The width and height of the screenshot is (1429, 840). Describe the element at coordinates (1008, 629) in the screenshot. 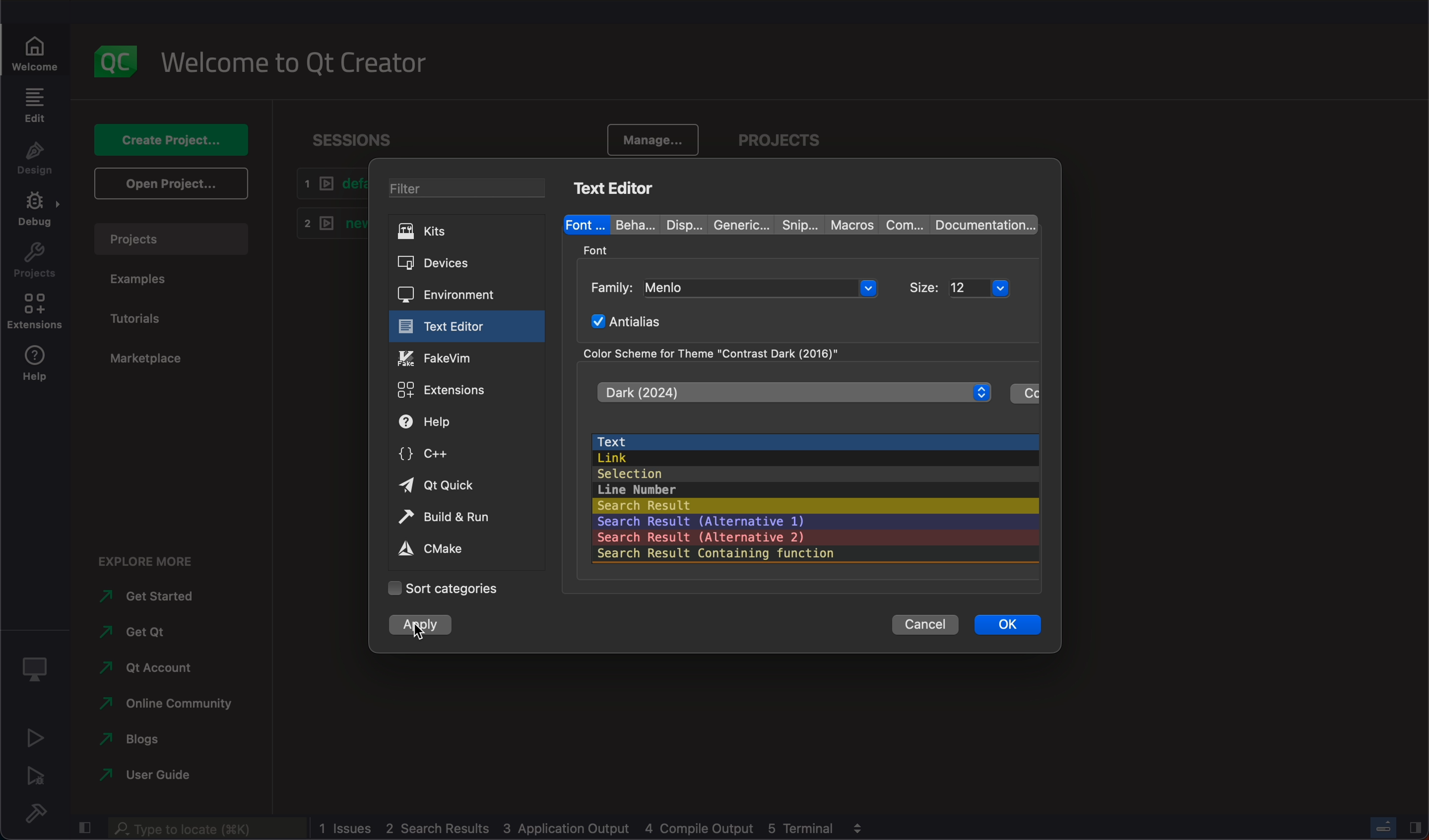

I see `ok` at that location.